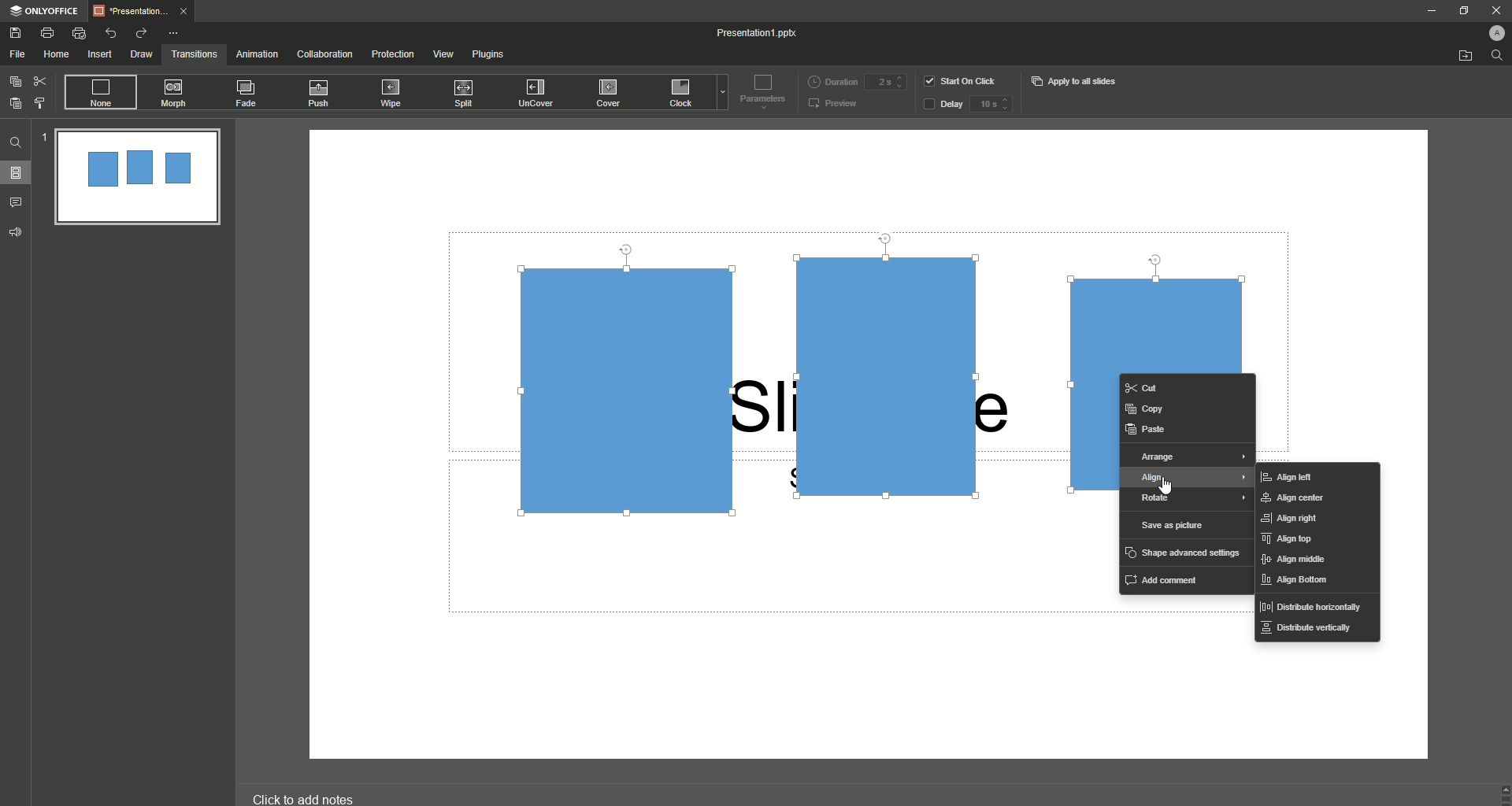  What do you see at coordinates (145, 11) in the screenshot?
I see `Tab 1` at bounding box center [145, 11].